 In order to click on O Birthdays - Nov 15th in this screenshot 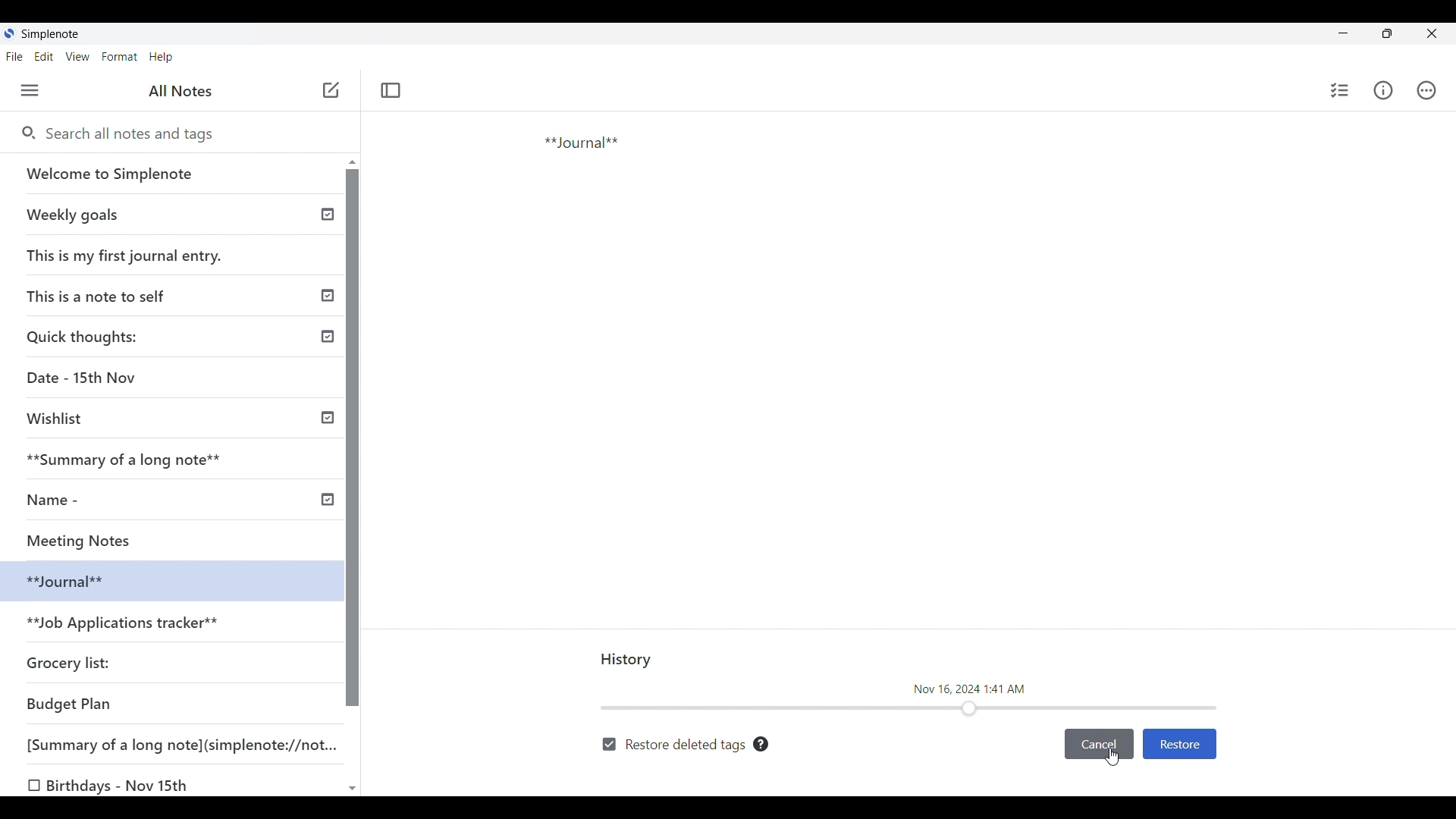, I will do `click(111, 786)`.